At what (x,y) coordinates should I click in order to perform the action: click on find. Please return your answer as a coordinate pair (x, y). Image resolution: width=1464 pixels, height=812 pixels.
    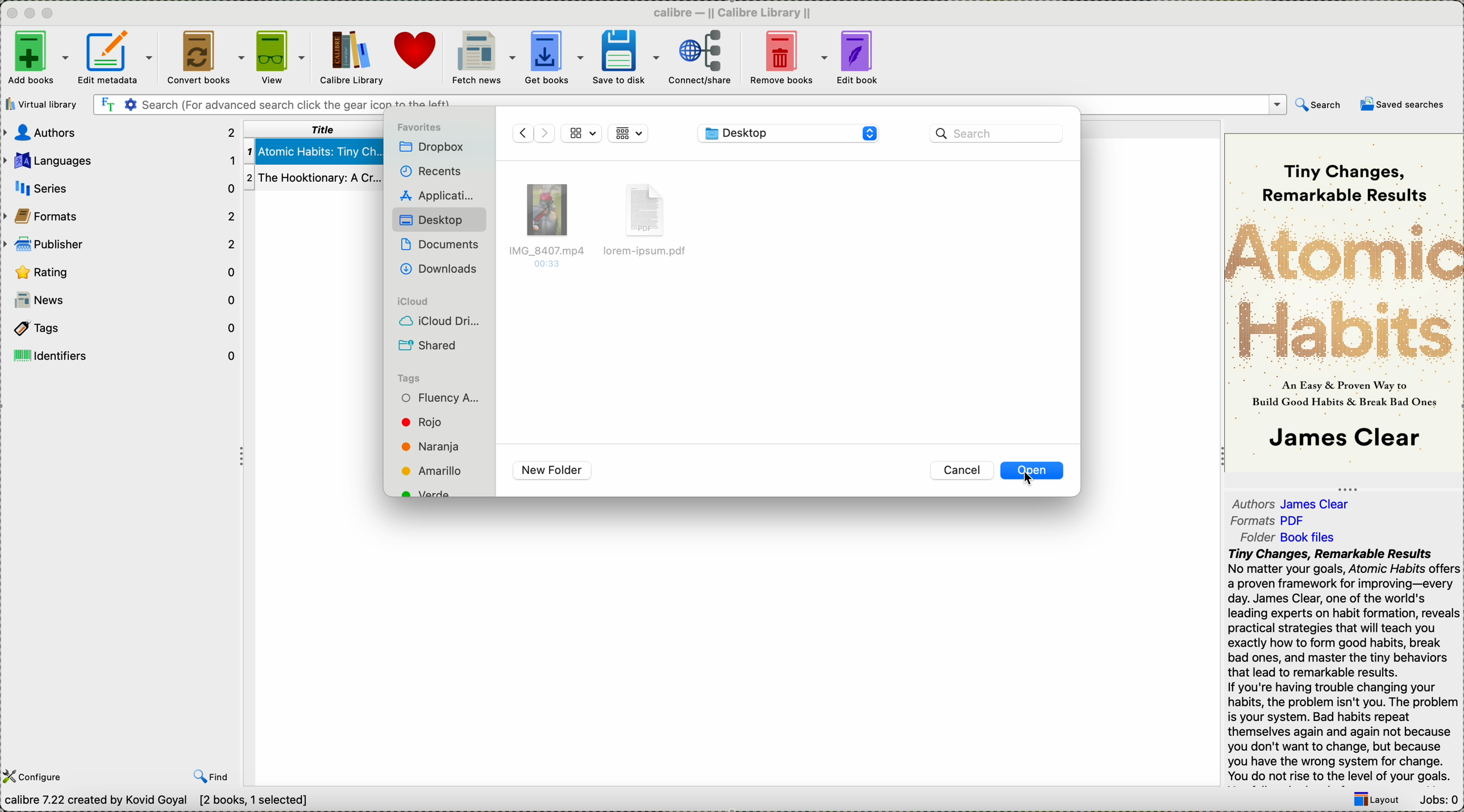
    Looking at the image, I should click on (210, 777).